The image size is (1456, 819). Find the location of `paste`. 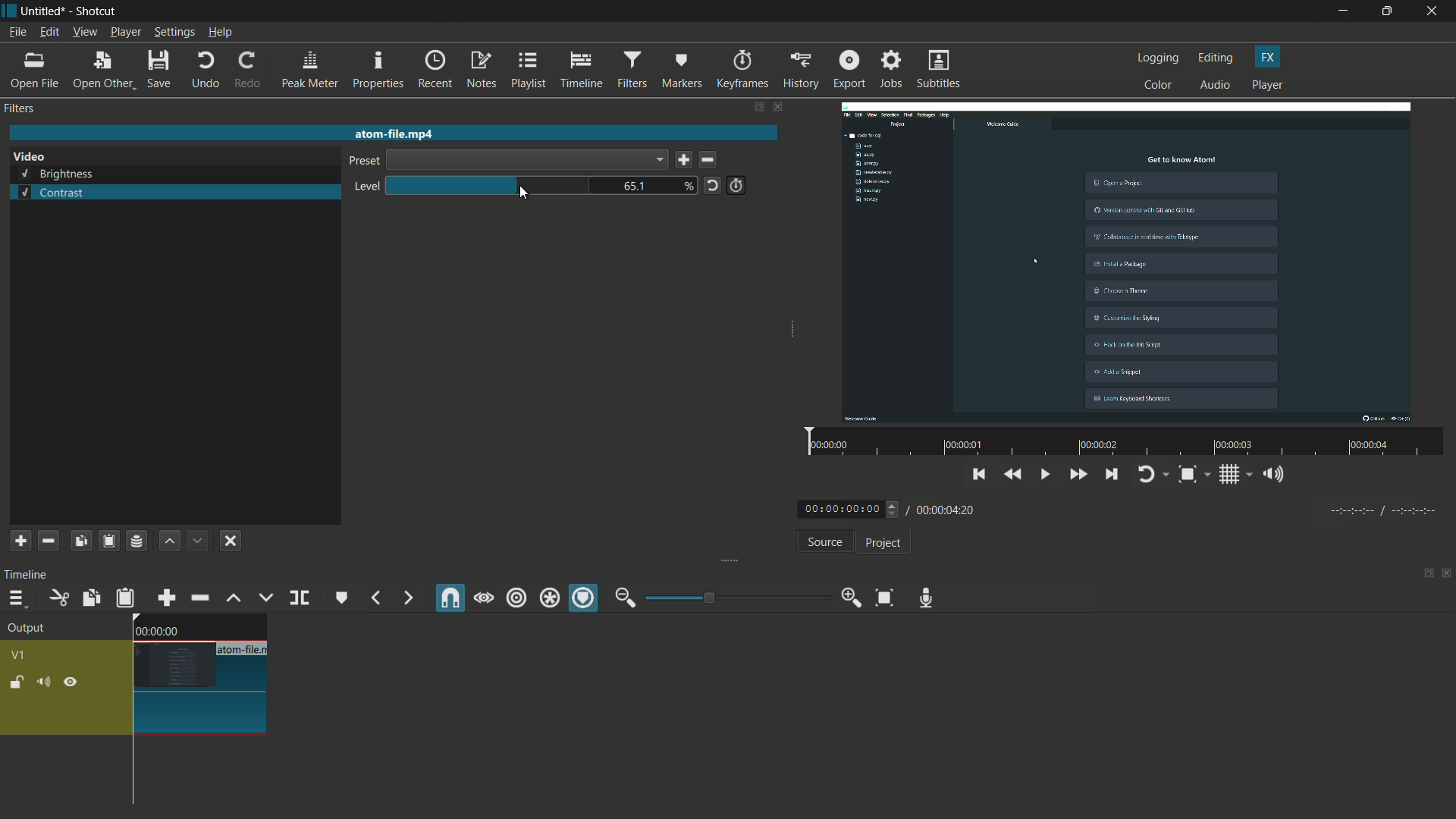

paste is located at coordinates (125, 598).